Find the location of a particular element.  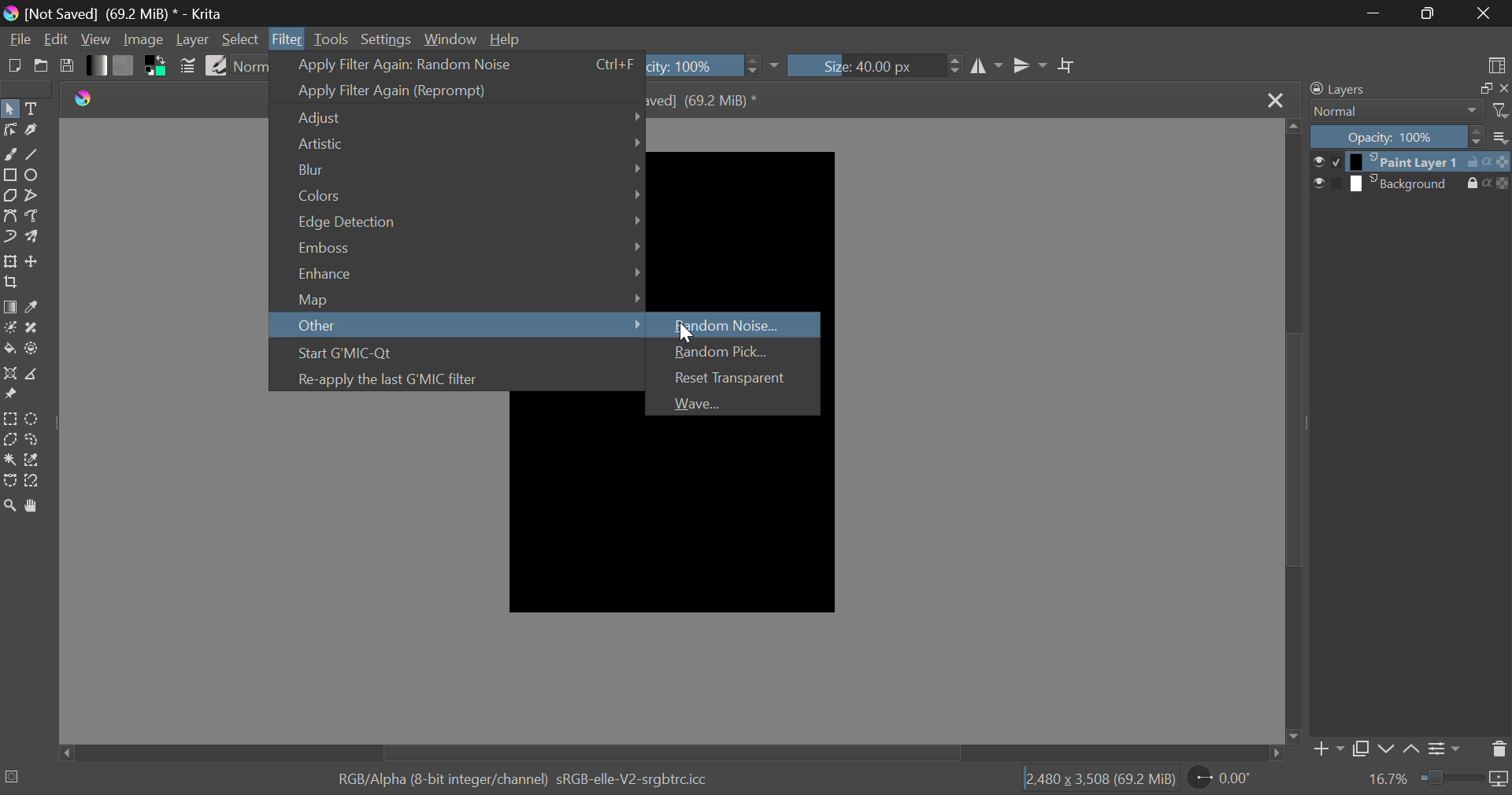

Restore Down is located at coordinates (1376, 13).